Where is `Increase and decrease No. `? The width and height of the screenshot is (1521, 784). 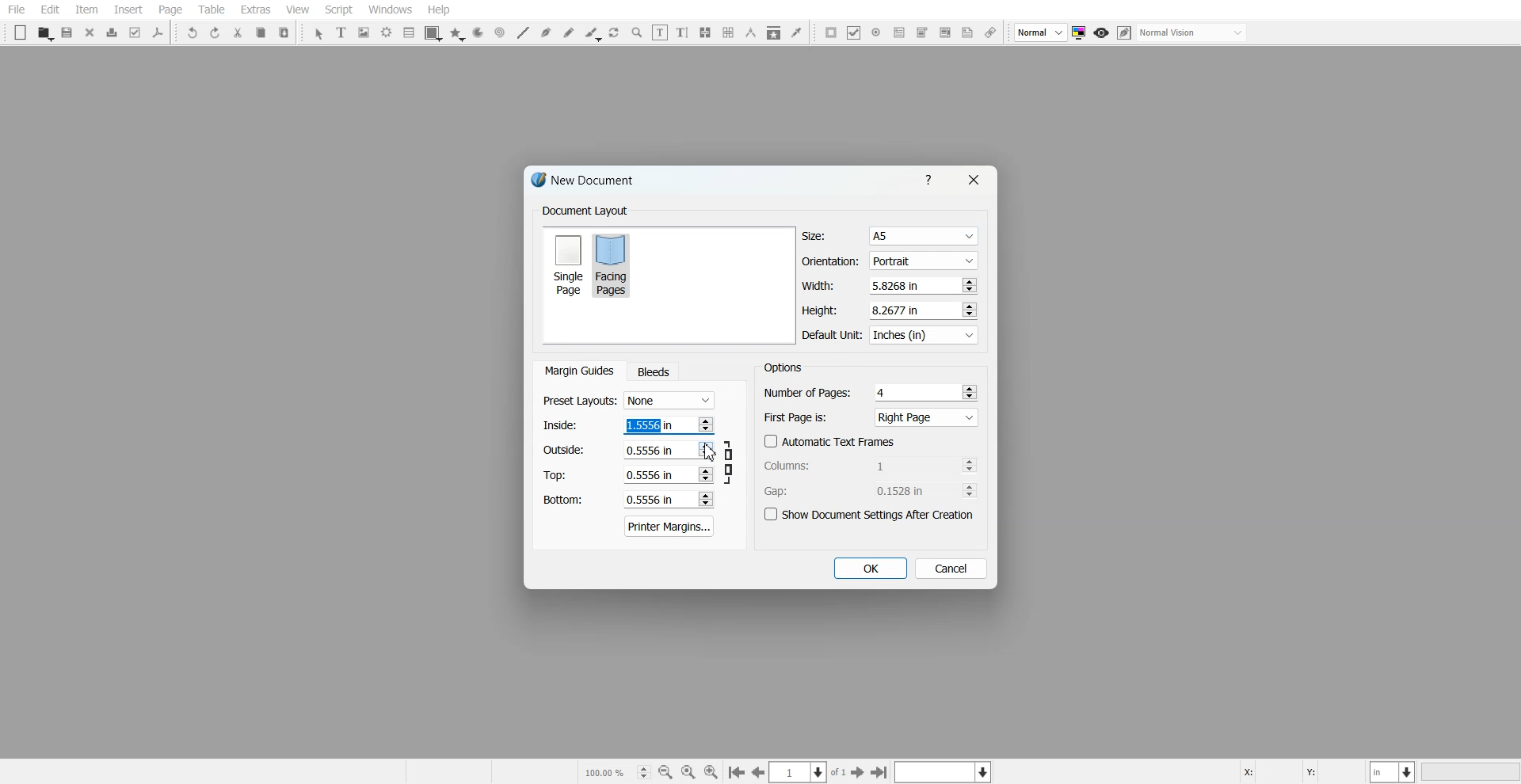 Increase and decrease No.  is located at coordinates (704, 499).